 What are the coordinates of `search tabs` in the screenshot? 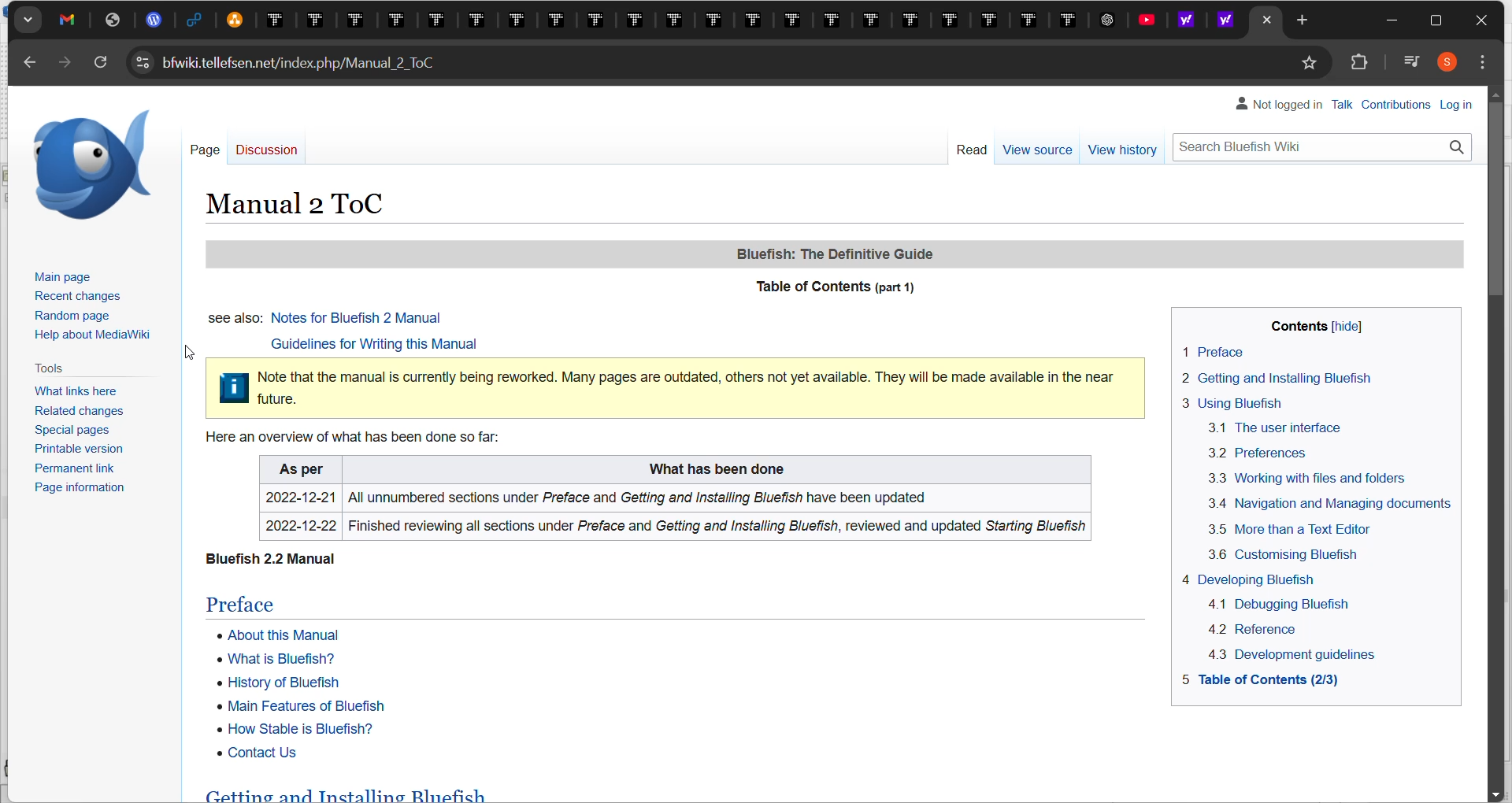 It's located at (33, 20).